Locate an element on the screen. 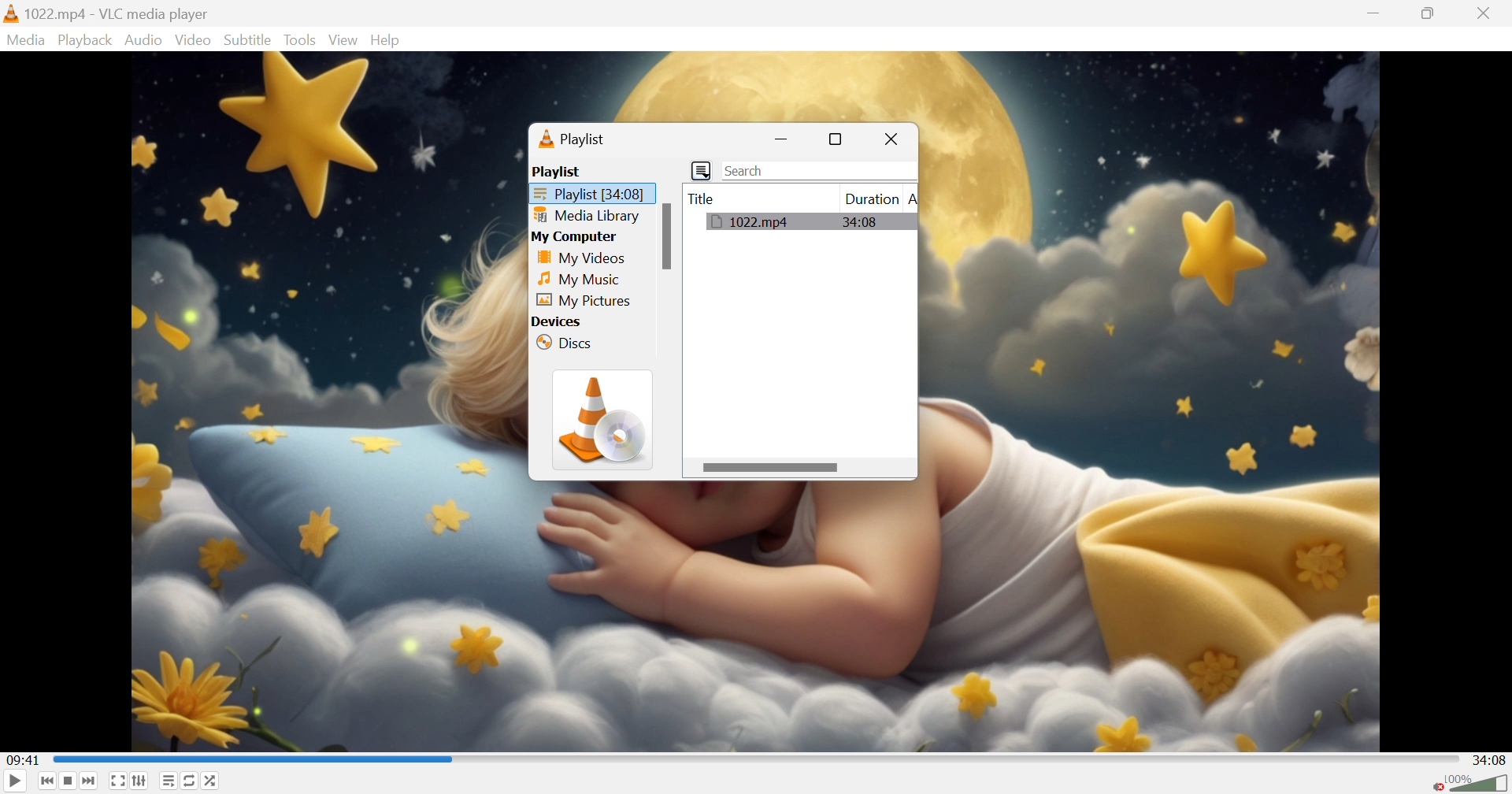 The width and height of the screenshot is (1512, 794). Media is located at coordinates (24, 39).